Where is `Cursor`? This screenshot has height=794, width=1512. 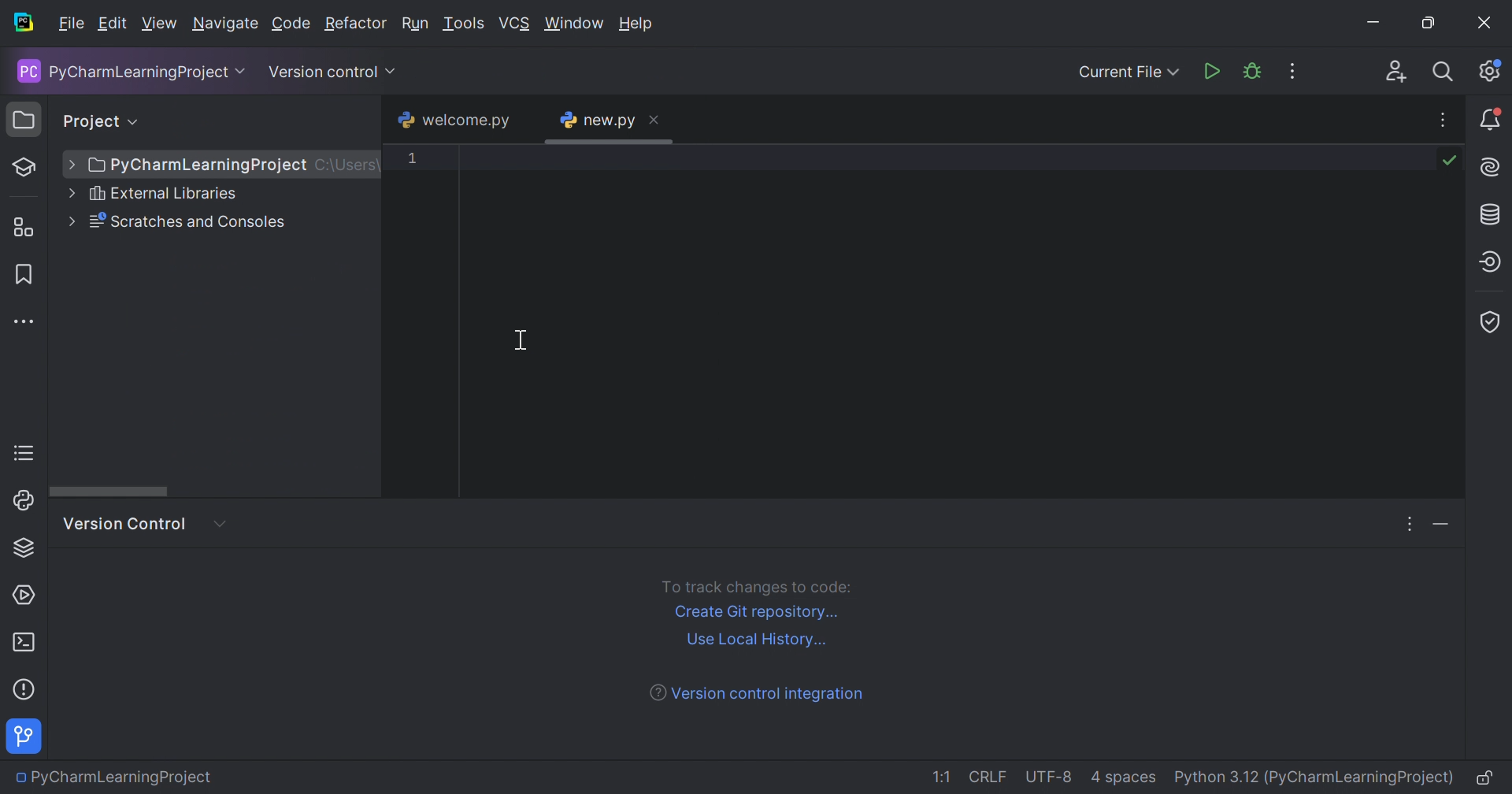 Cursor is located at coordinates (523, 340).